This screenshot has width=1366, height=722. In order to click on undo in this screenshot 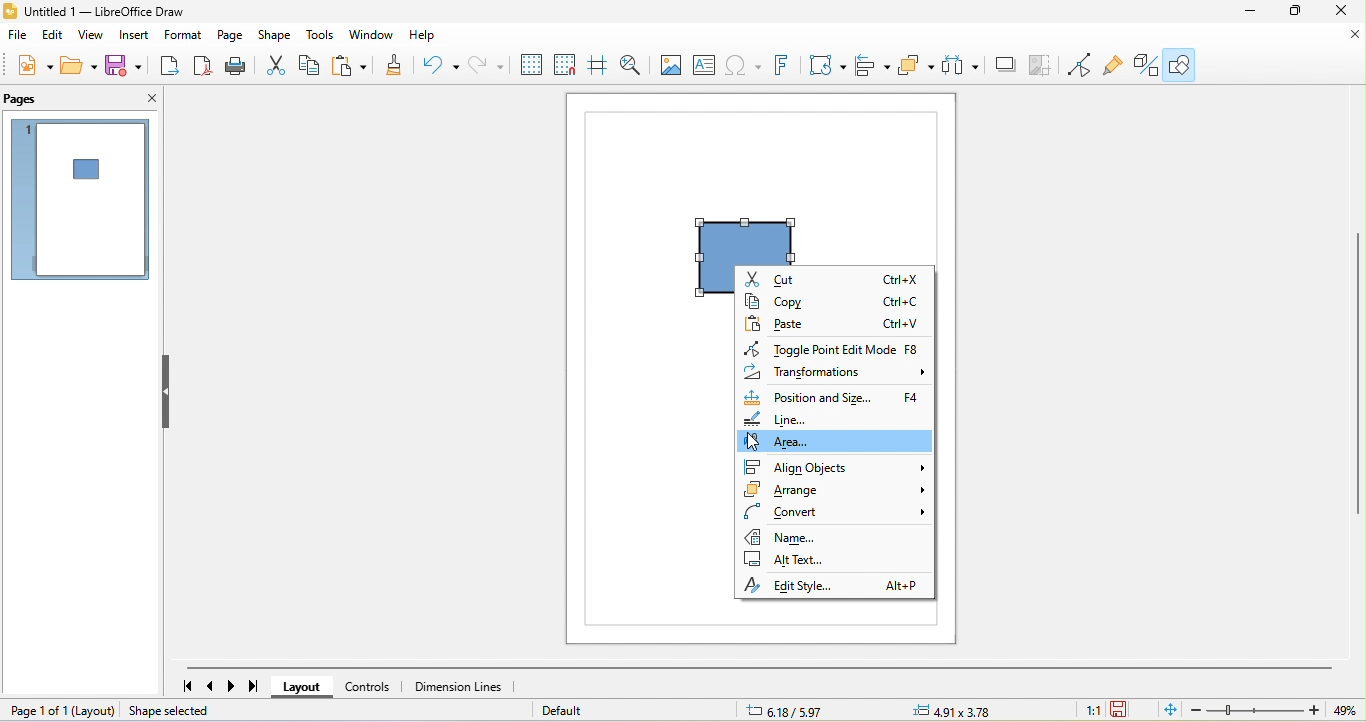, I will do `click(435, 65)`.